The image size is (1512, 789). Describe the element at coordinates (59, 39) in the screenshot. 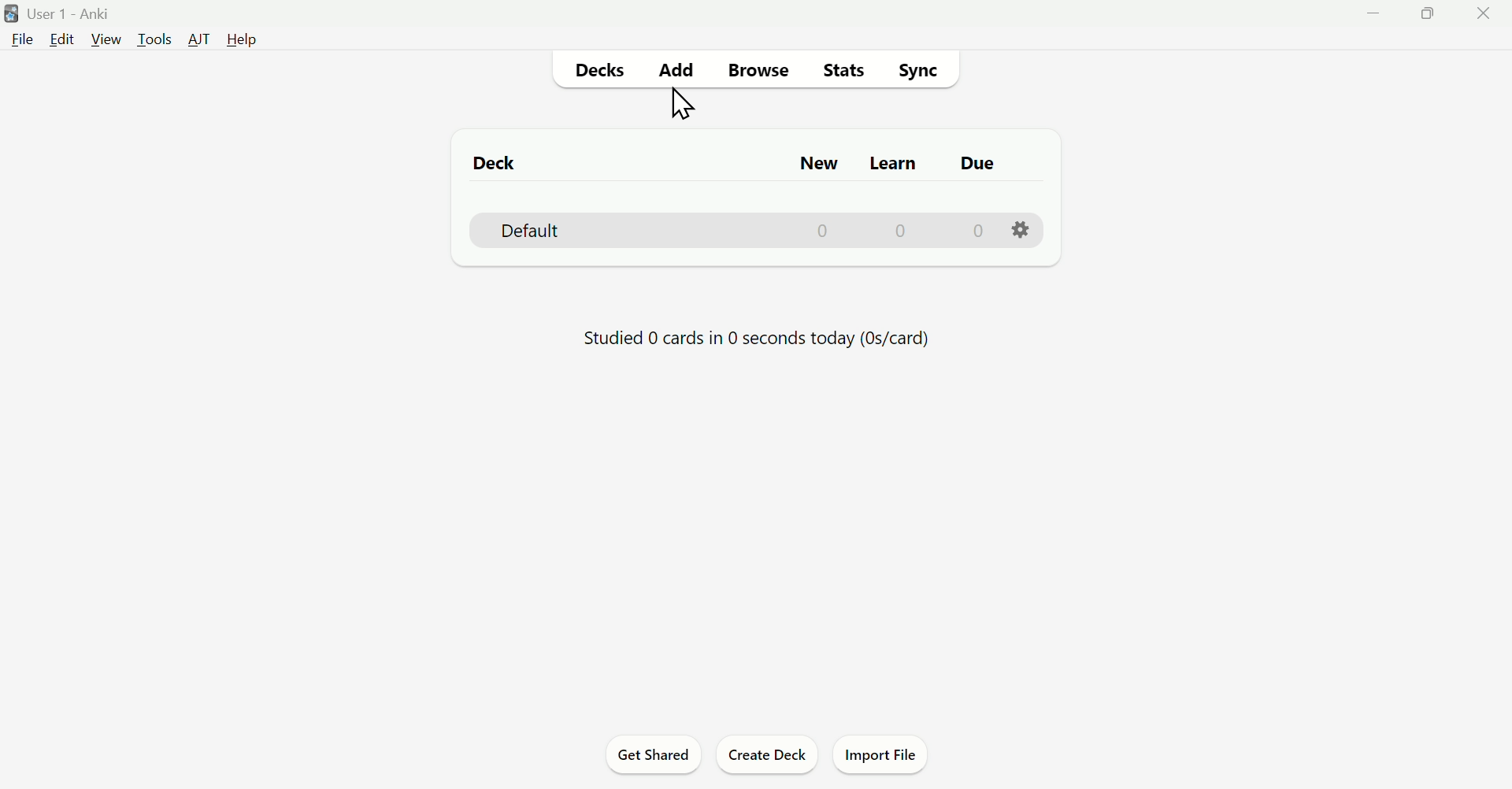

I see `Edit` at that location.